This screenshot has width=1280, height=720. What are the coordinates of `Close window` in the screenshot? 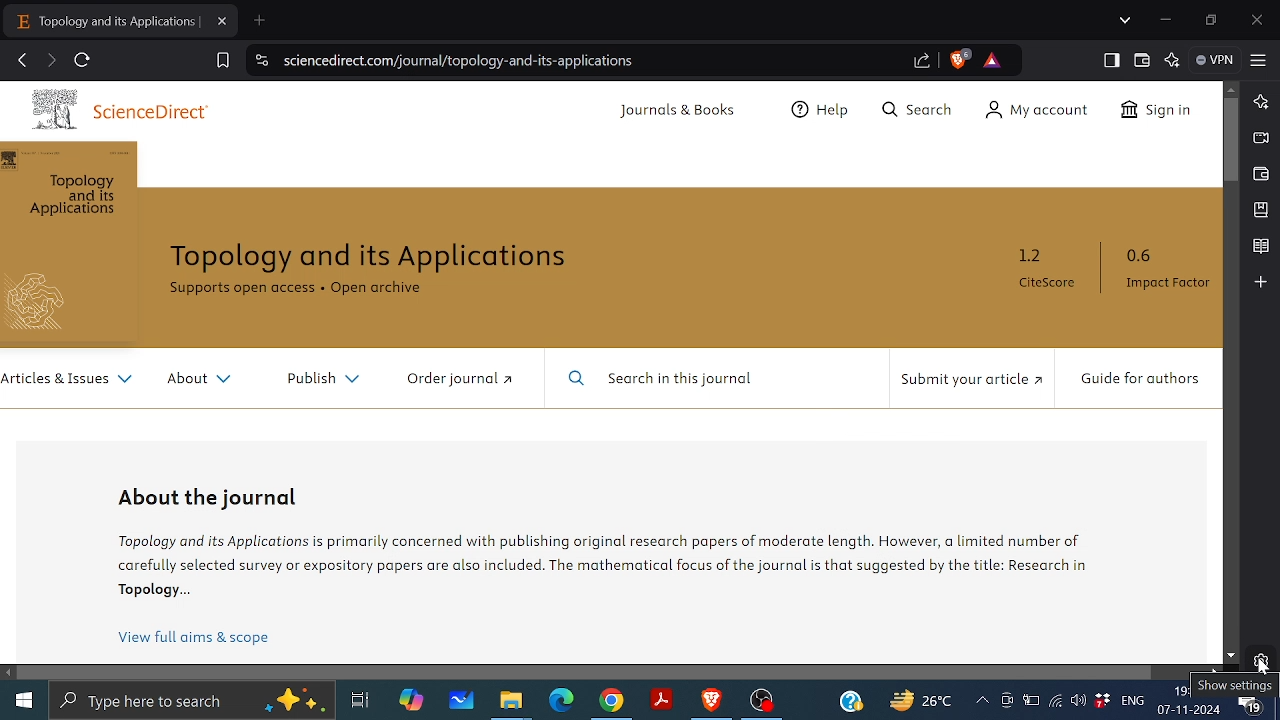 It's located at (1260, 21).